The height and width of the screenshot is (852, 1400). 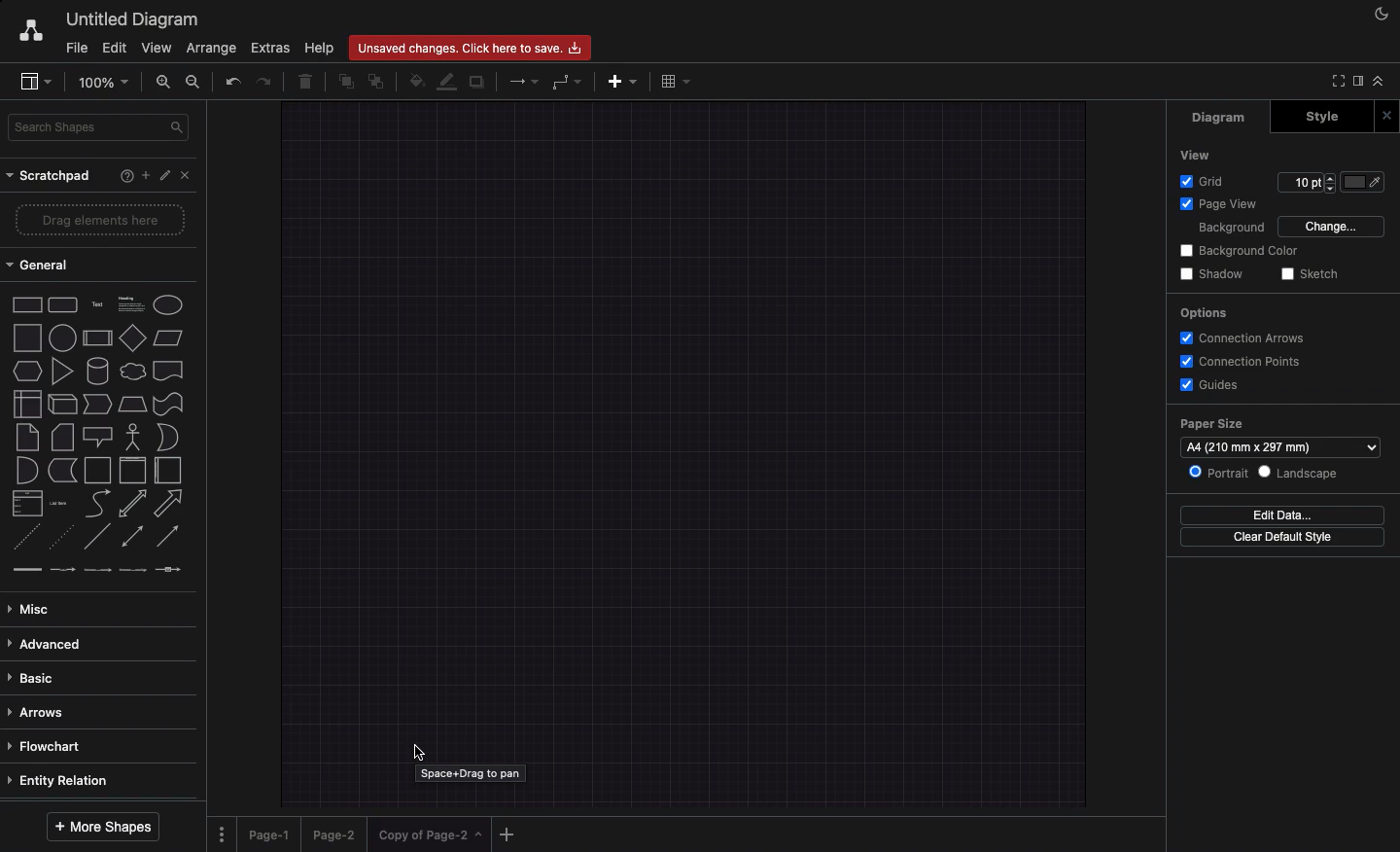 What do you see at coordinates (339, 835) in the screenshot?
I see `Page 2` at bounding box center [339, 835].